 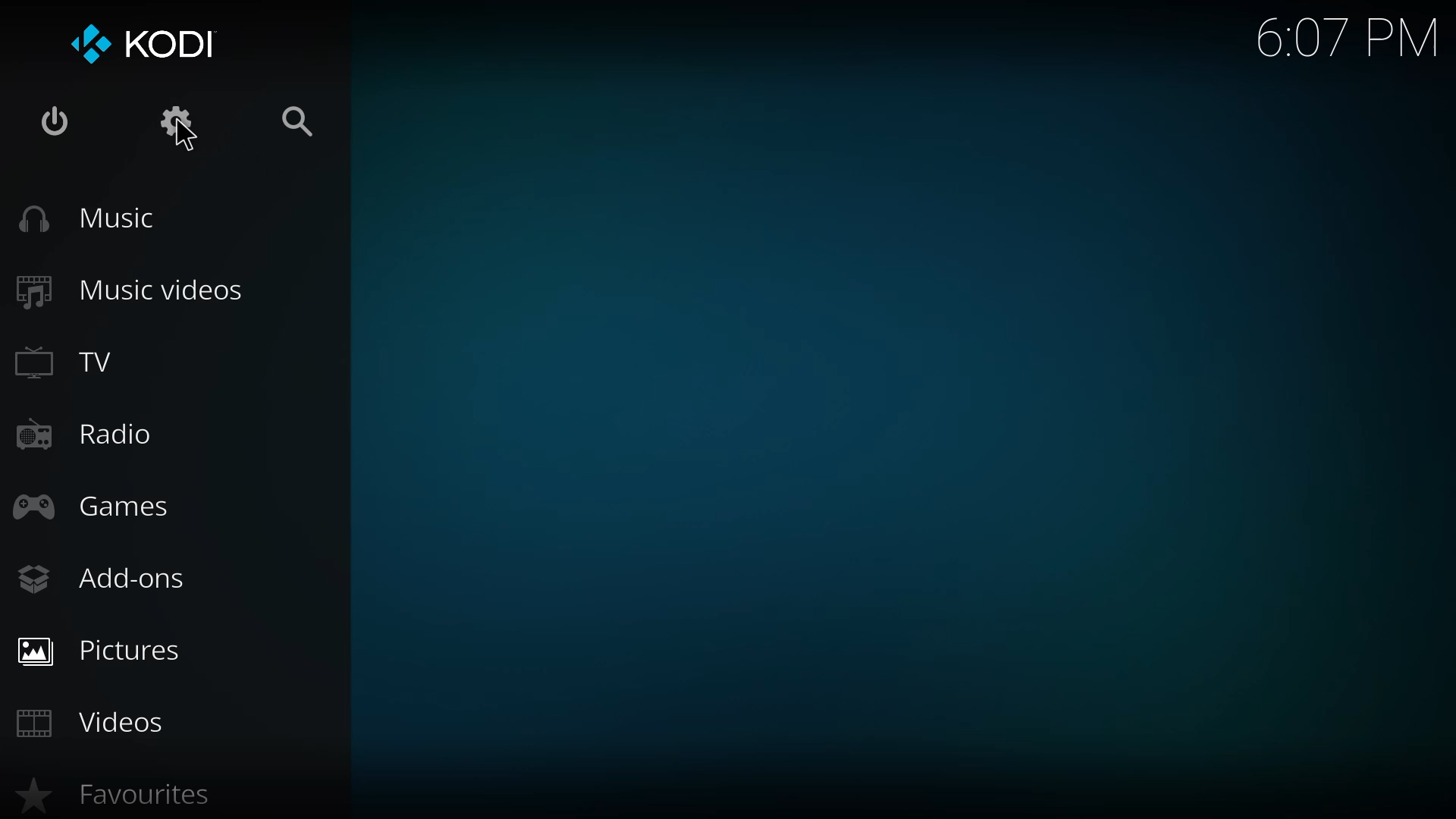 What do you see at coordinates (105, 582) in the screenshot?
I see `add-ons` at bounding box center [105, 582].